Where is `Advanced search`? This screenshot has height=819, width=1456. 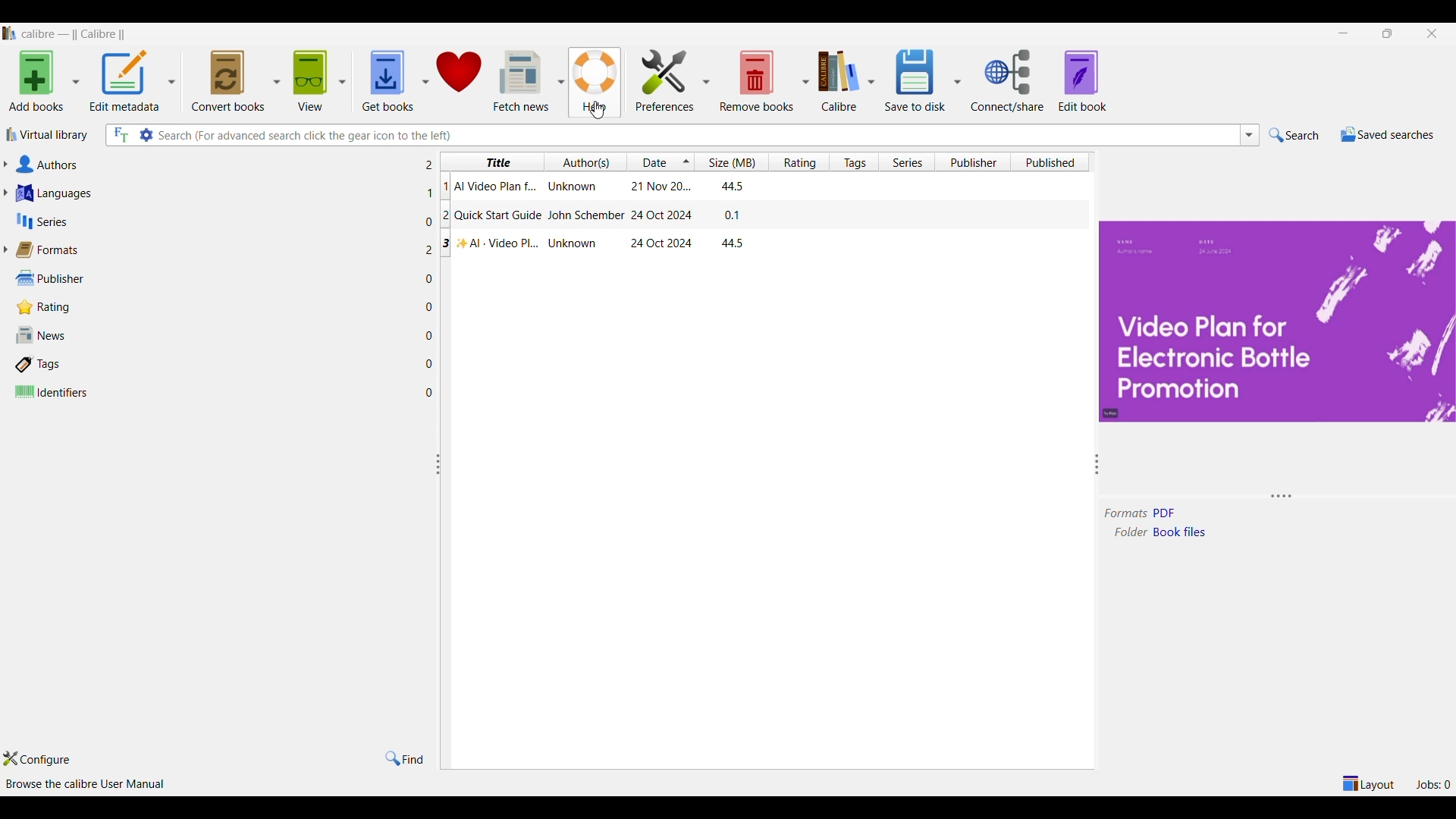 Advanced search is located at coordinates (147, 135).